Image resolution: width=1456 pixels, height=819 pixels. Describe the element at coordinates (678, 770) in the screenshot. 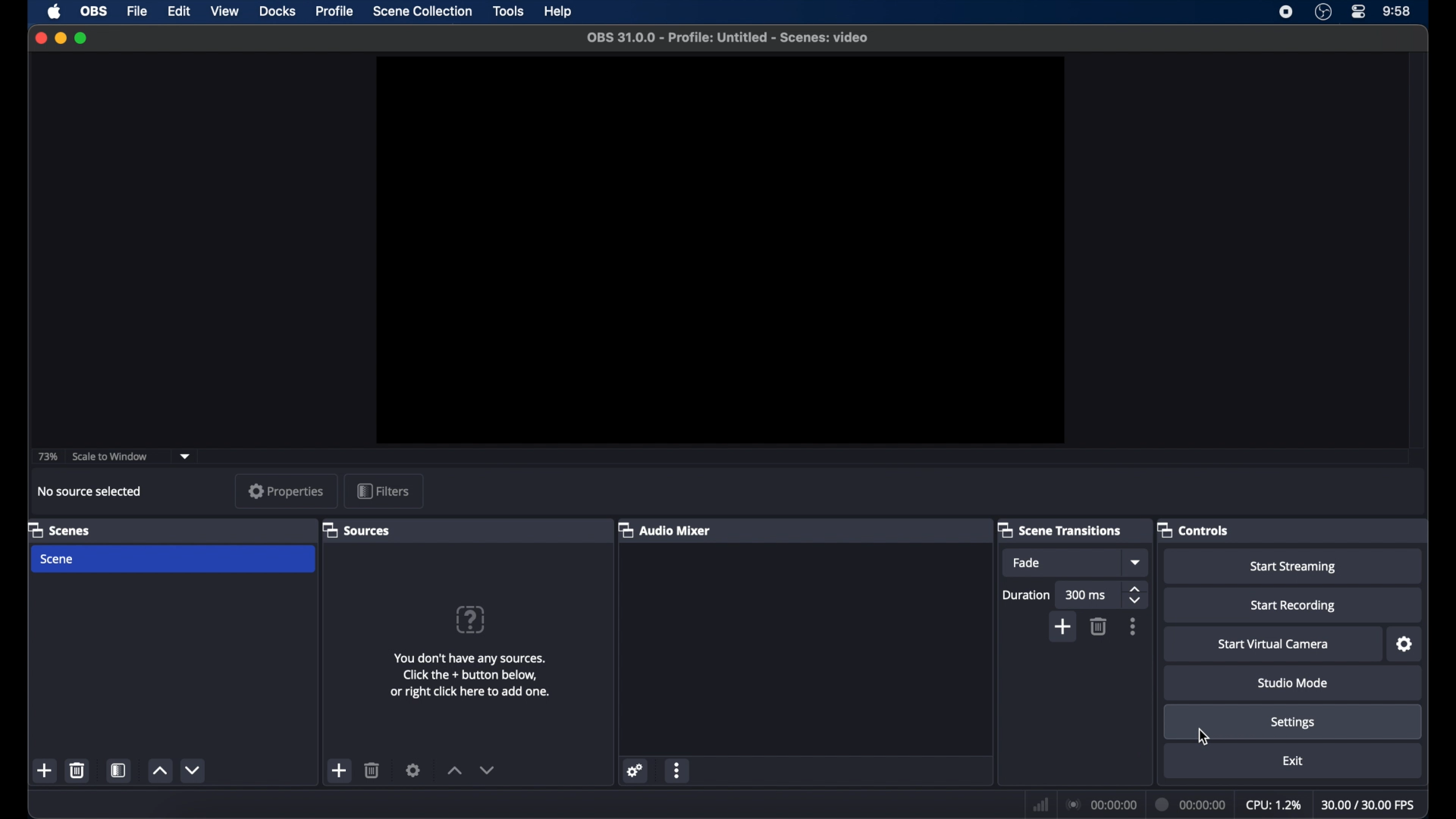

I see `more options` at that location.